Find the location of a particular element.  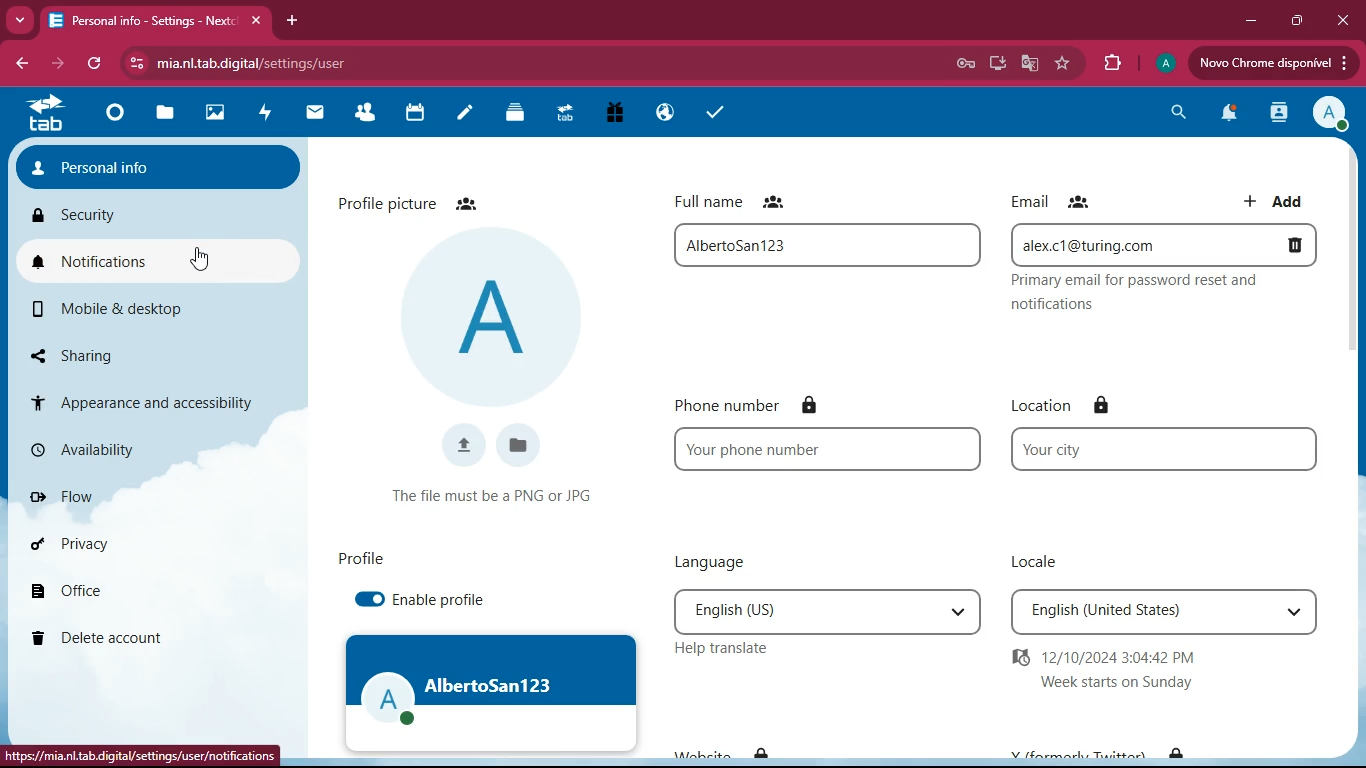

calendar is located at coordinates (415, 115).